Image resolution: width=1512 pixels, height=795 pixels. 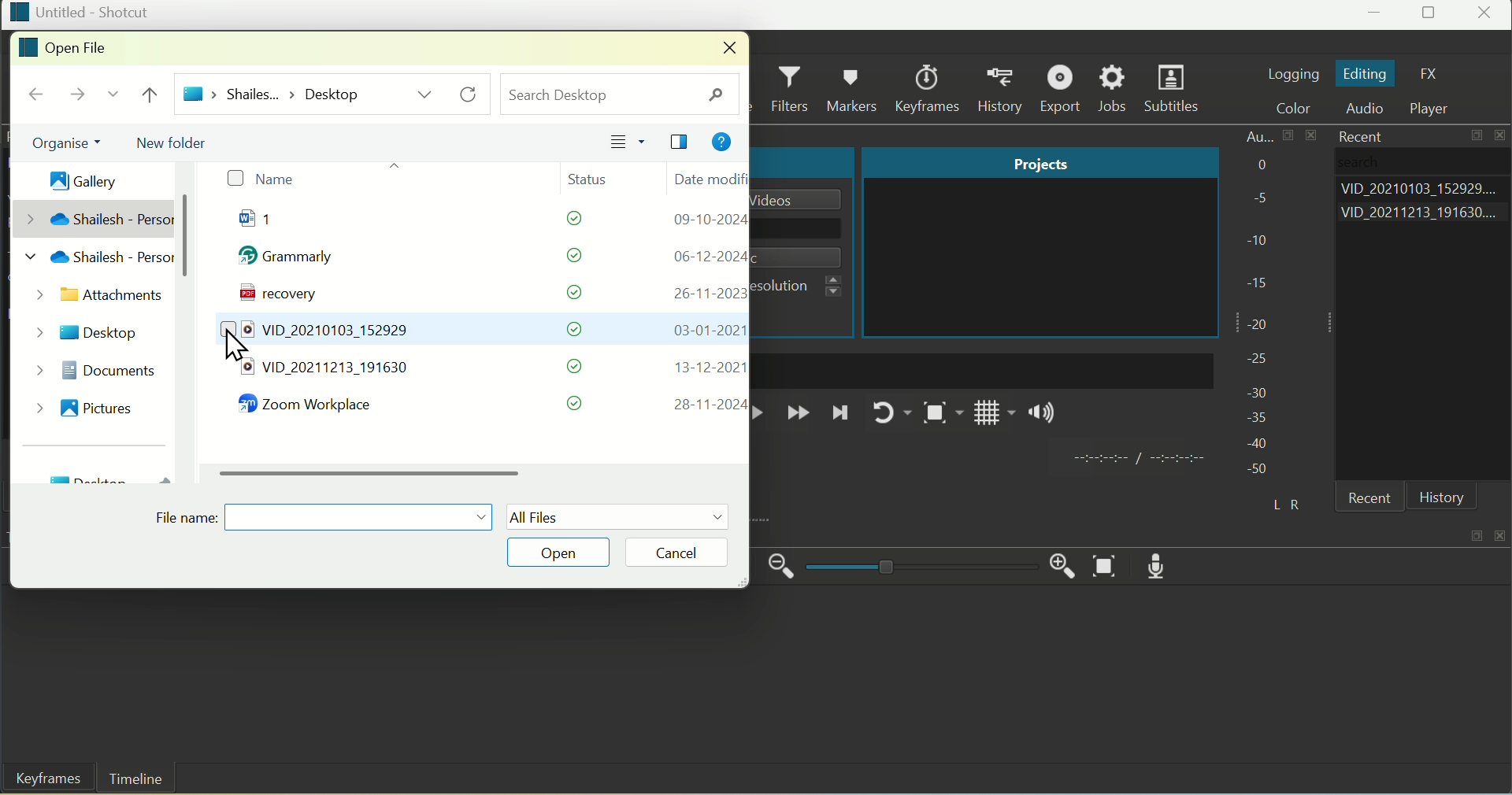 I want to click on status, so click(x=565, y=256).